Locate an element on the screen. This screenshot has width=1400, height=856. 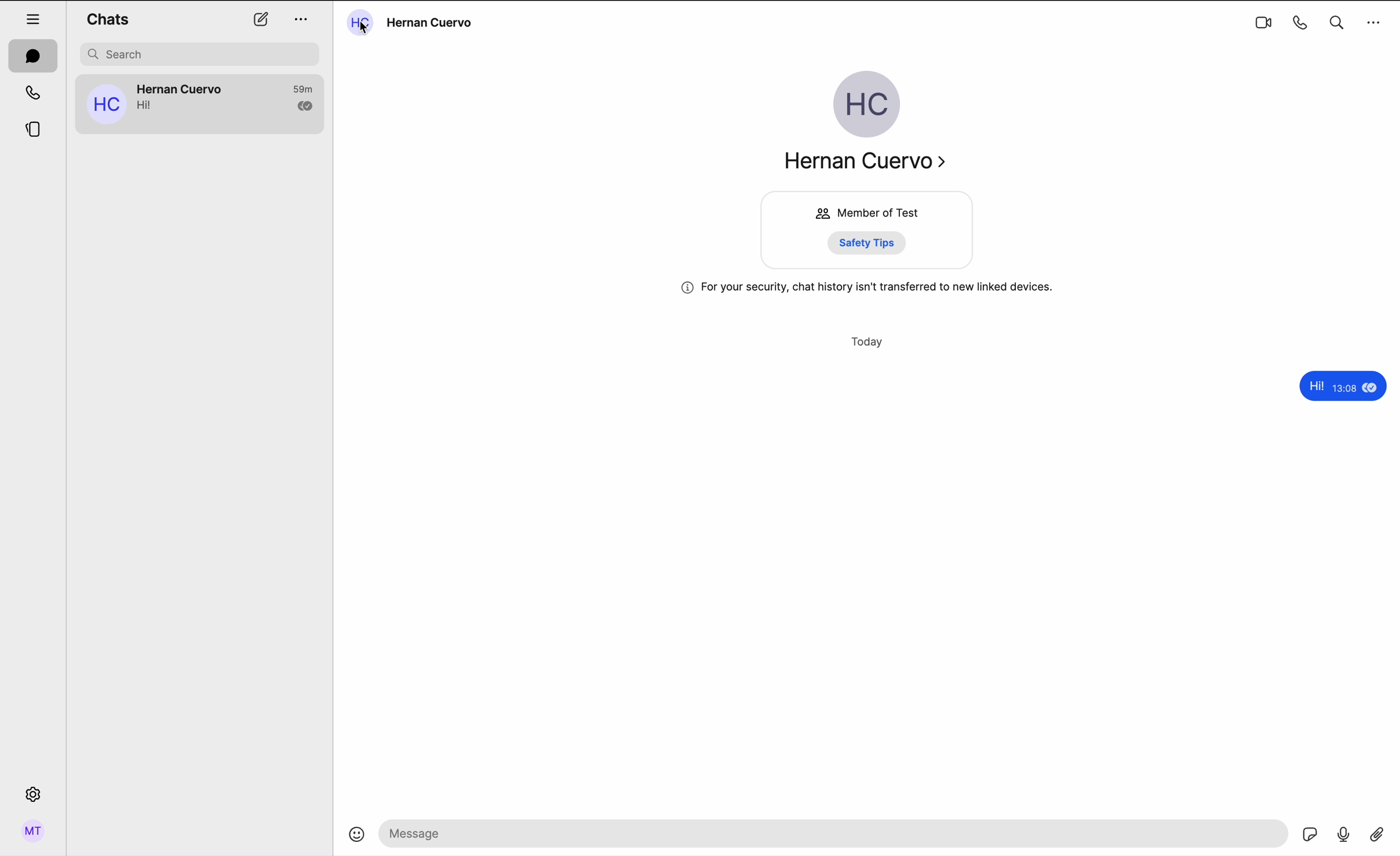
attach file is located at coordinates (1377, 838).